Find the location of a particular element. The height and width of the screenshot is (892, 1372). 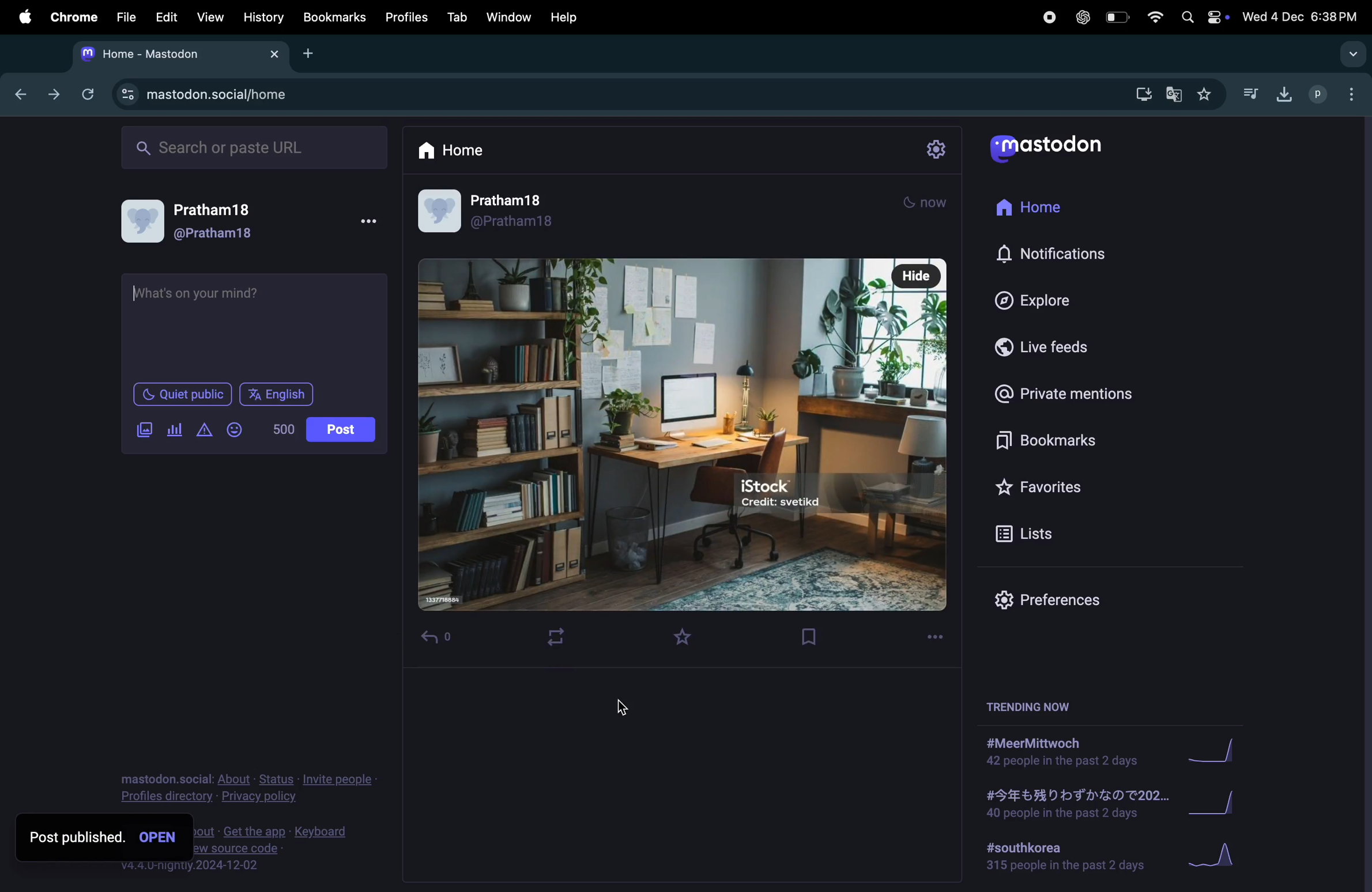

Favourites is located at coordinates (1050, 488).